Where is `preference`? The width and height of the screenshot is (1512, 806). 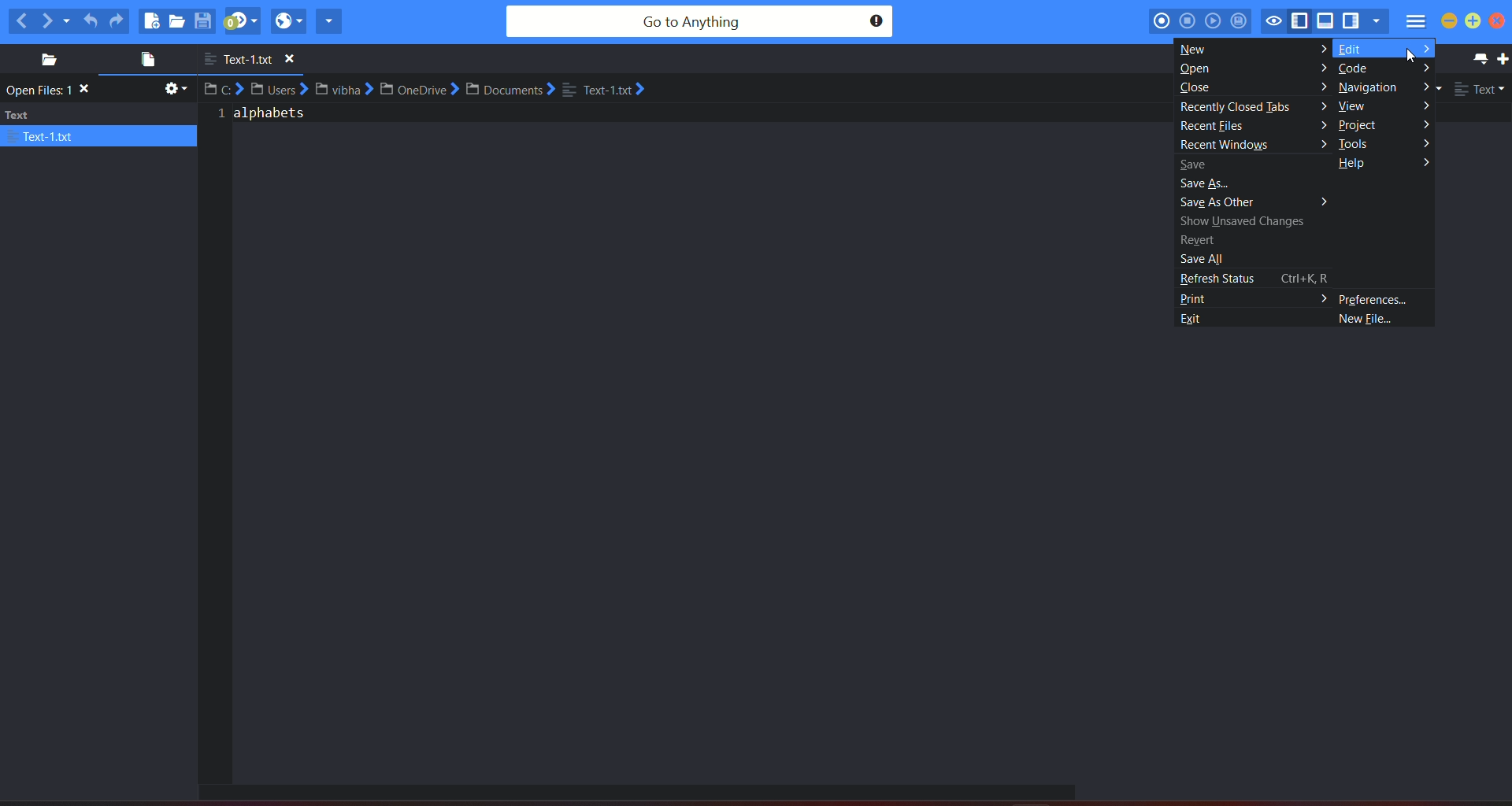 preference is located at coordinates (1375, 298).